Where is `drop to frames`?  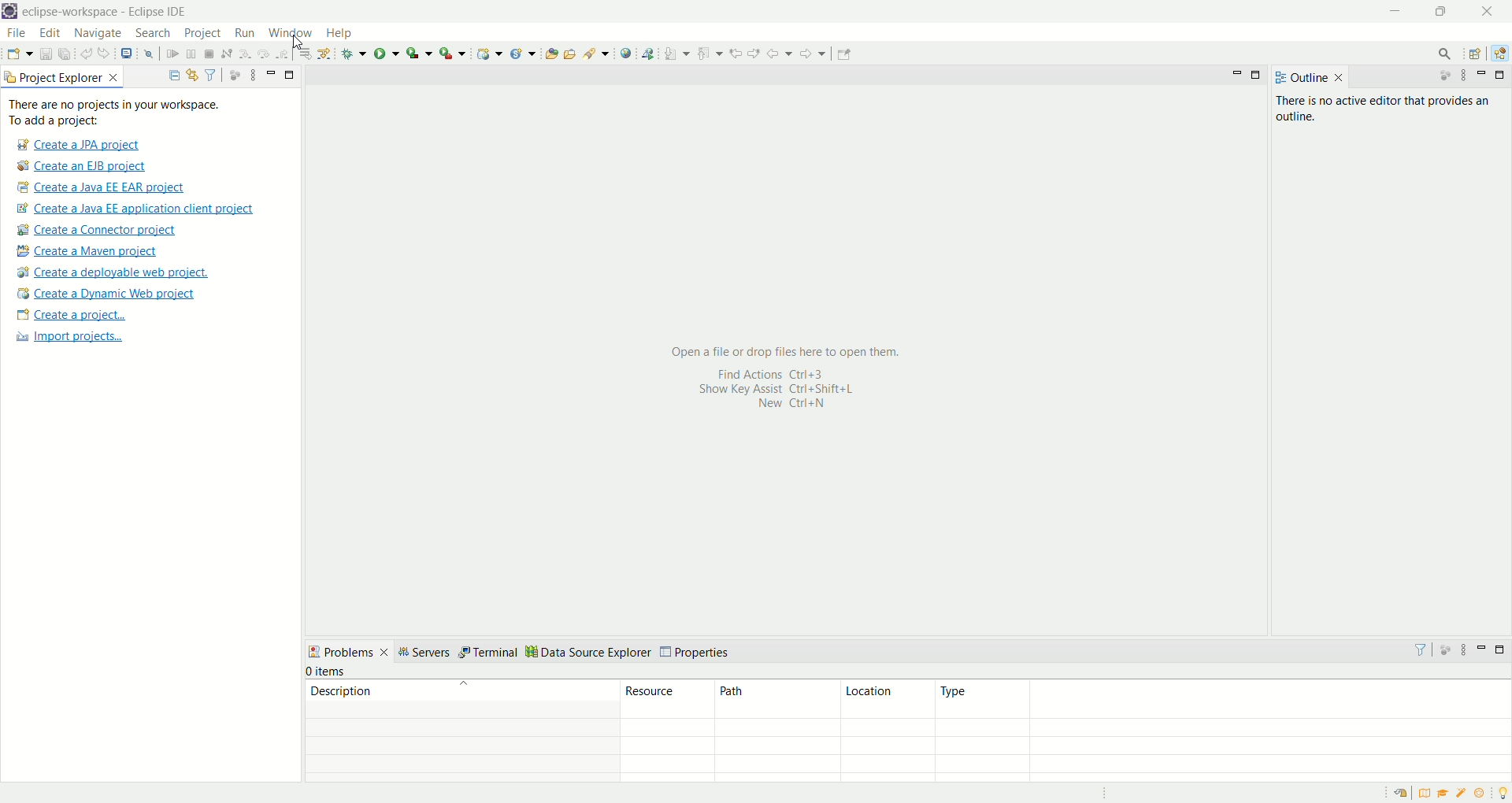 drop to frames is located at coordinates (306, 54).